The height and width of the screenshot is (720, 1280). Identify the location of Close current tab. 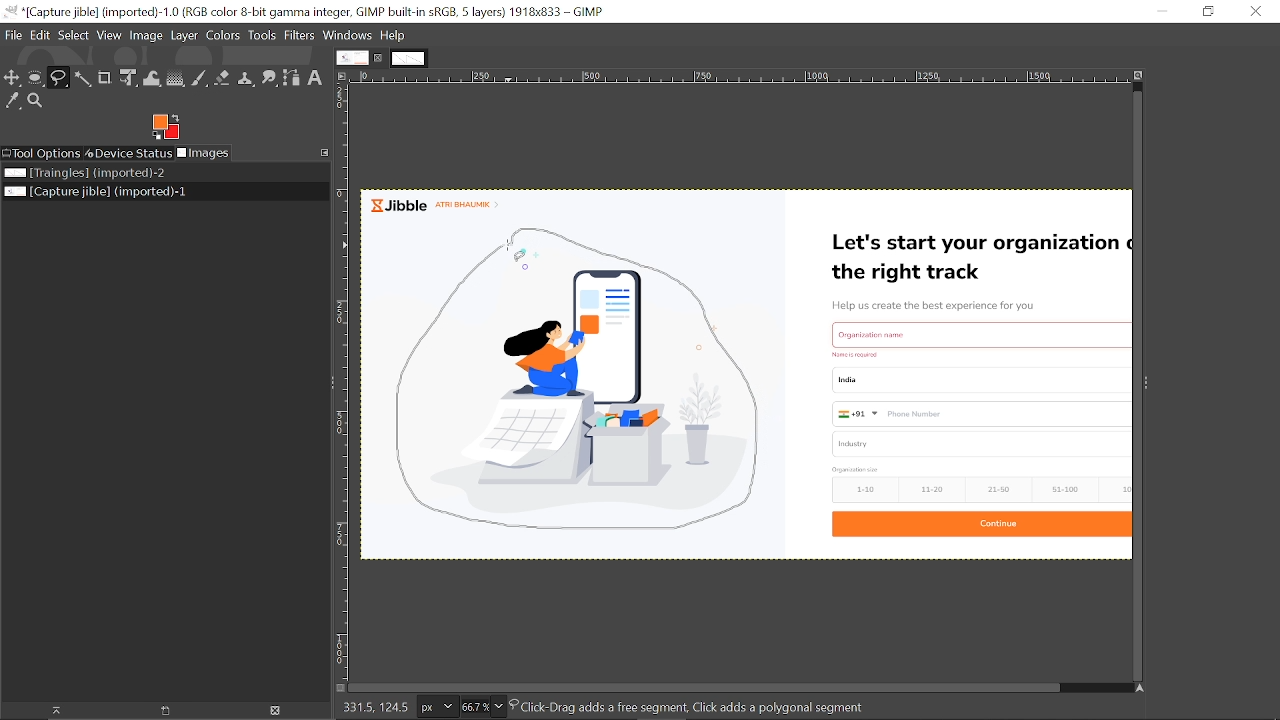
(380, 58).